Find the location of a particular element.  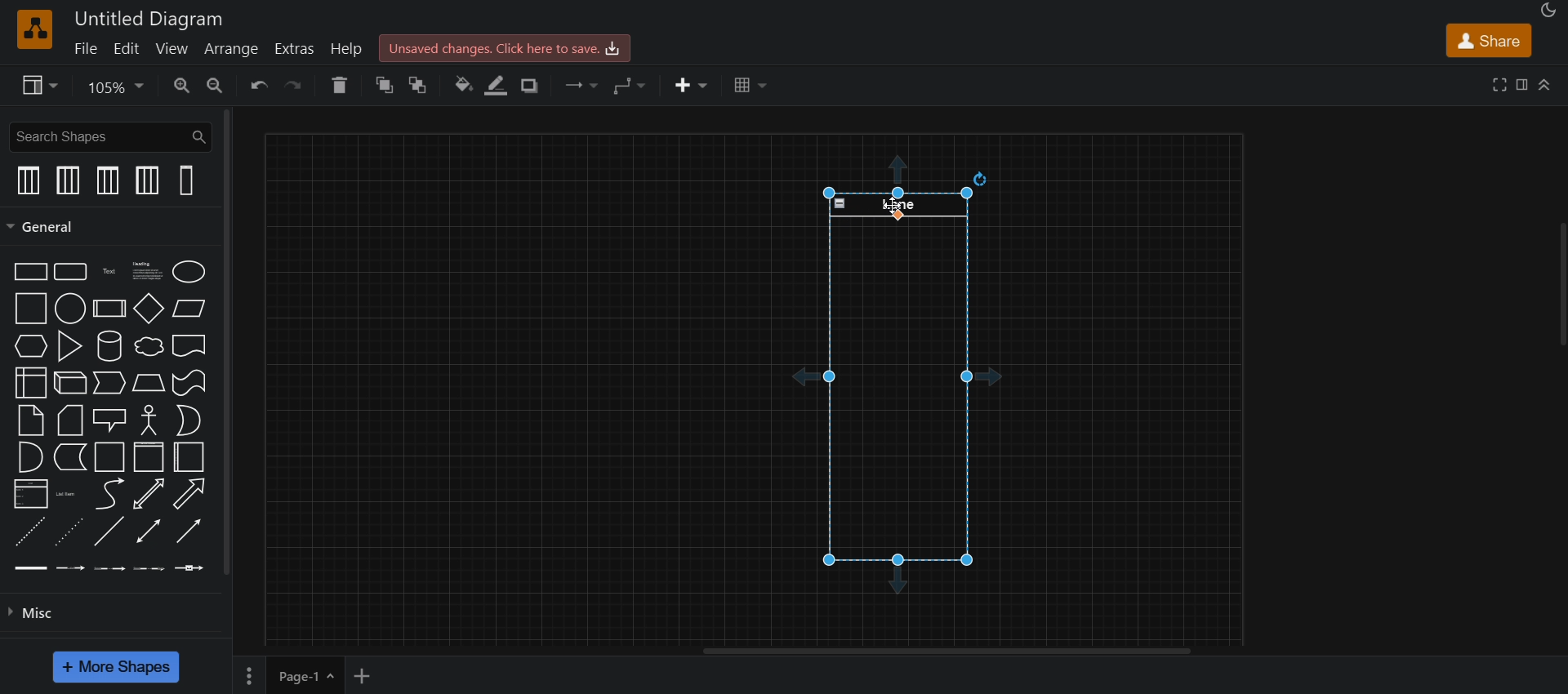

zoom out is located at coordinates (216, 87).